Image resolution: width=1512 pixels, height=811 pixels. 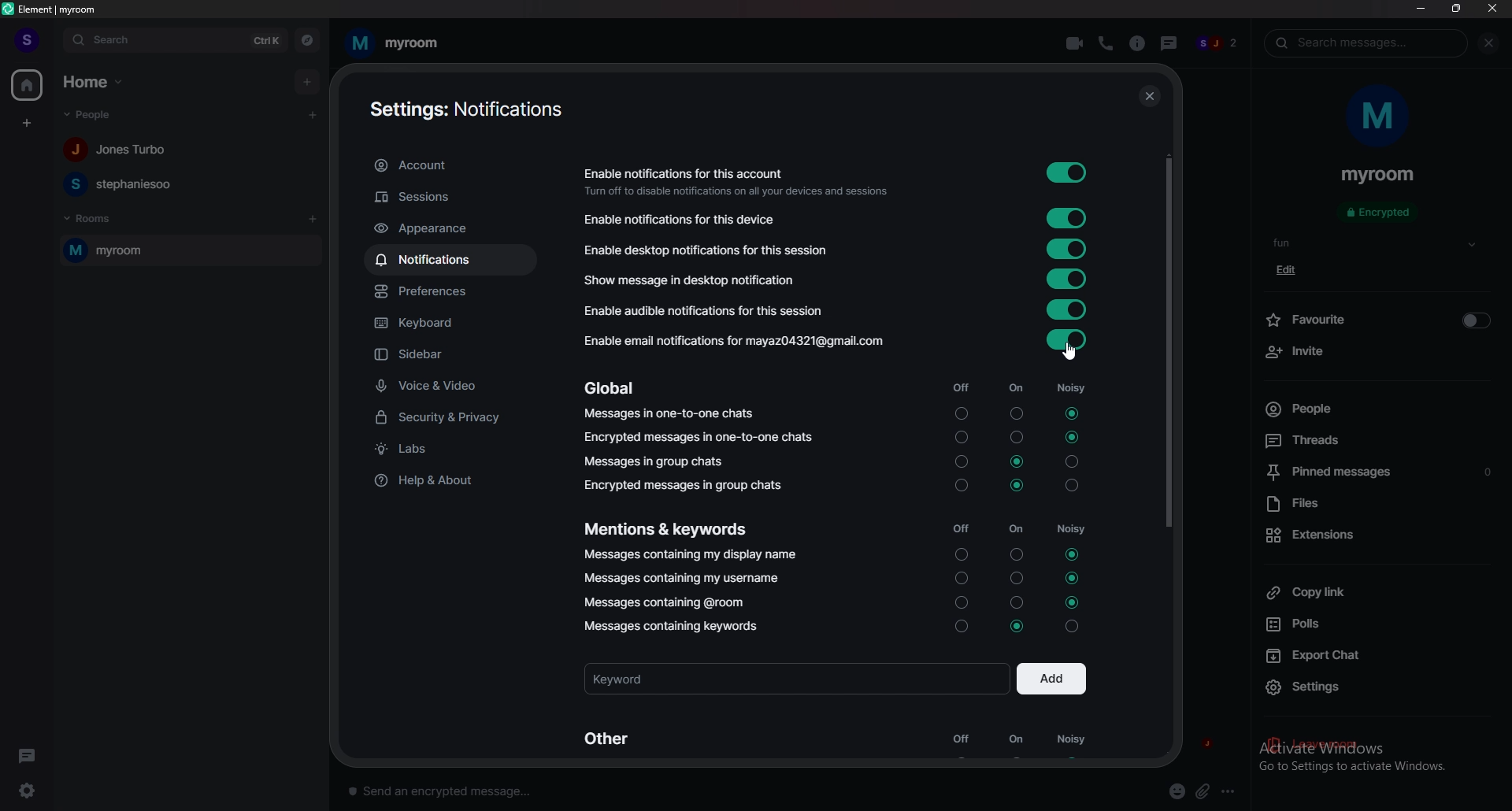 I want to click on video call, so click(x=1076, y=42).